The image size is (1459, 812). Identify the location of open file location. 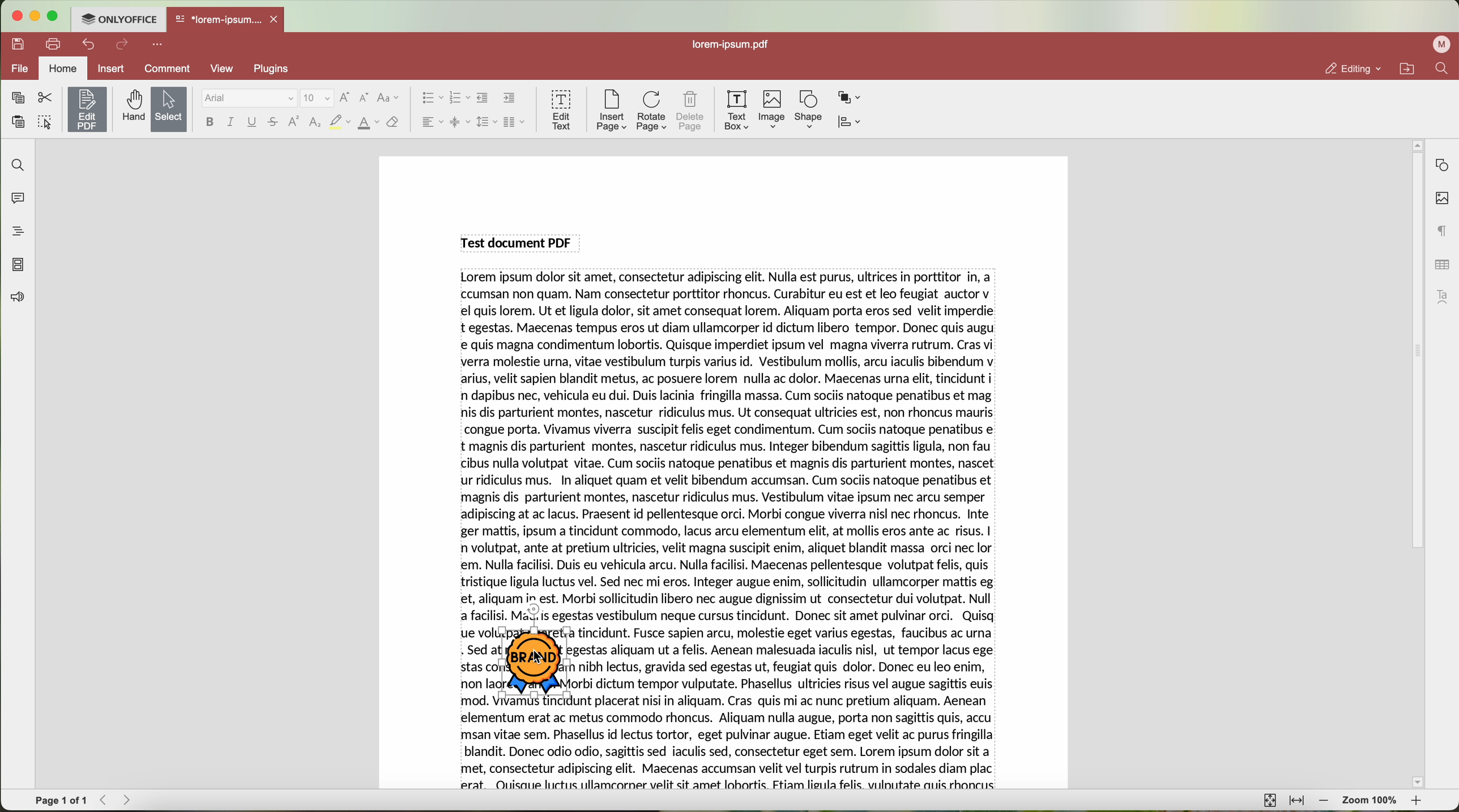
(1410, 69).